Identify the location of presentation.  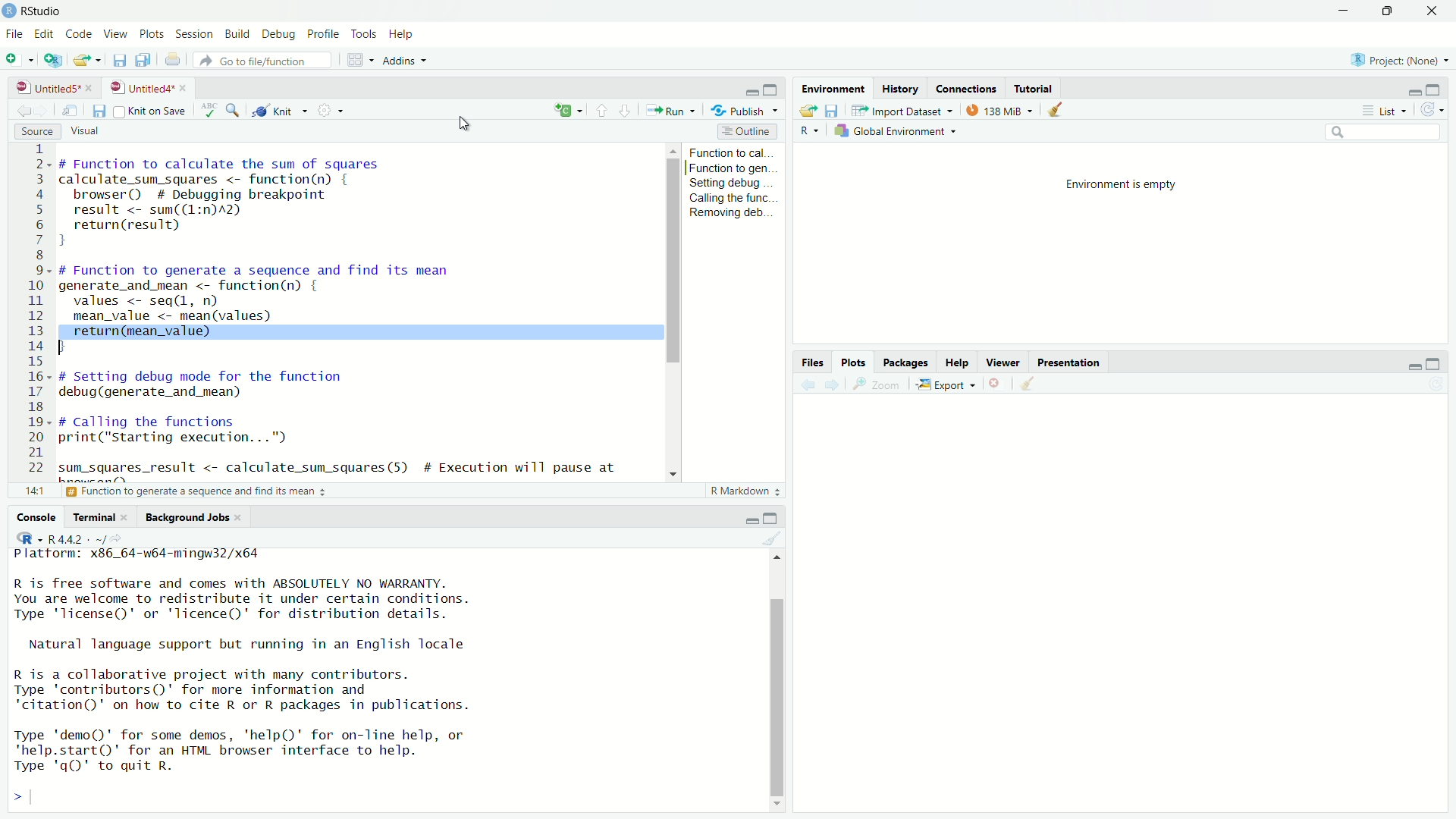
(1072, 359).